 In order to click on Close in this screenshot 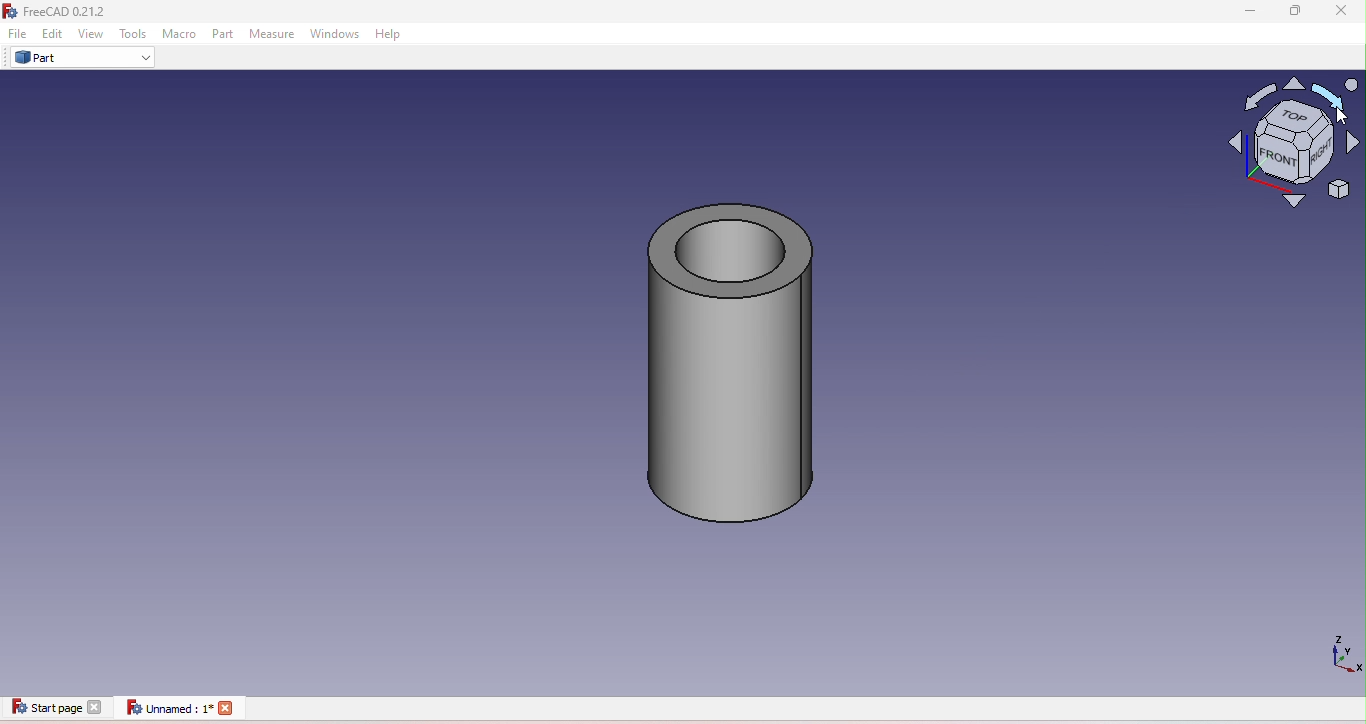, I will do `click(1339, 11)`.